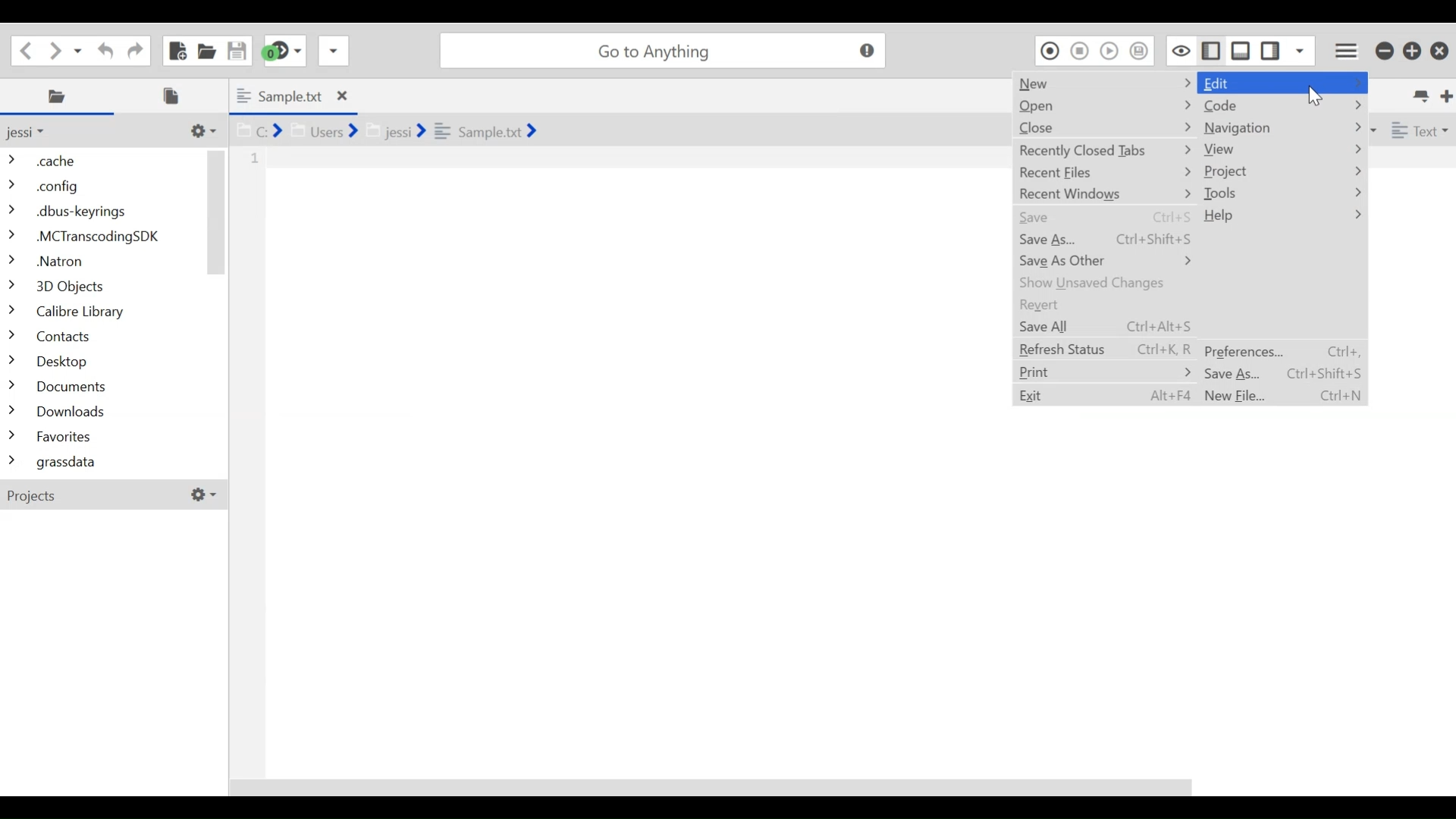 The width and height of the screenshot is (1456, 819). Describe the element at coordinates (1103, 283) in the screenshot. I see `Show unsaved changes` at that location.